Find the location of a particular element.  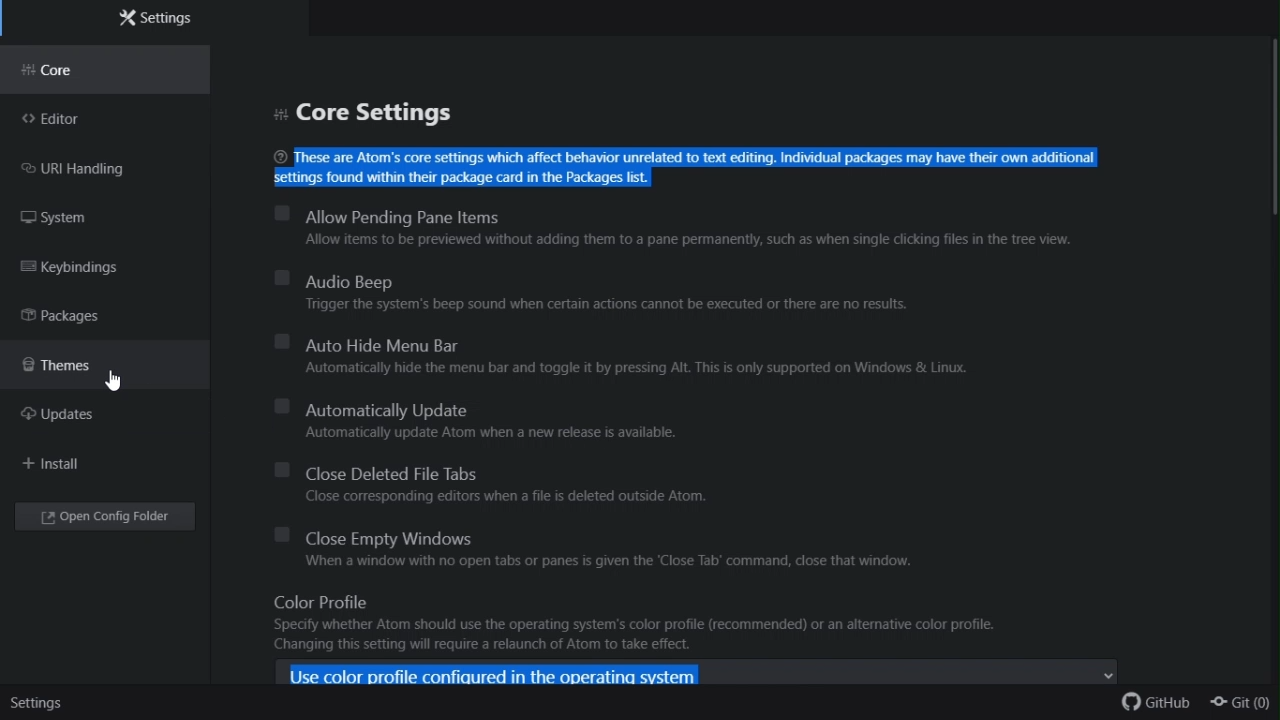

Color profile is located at coordinates (684, 639).